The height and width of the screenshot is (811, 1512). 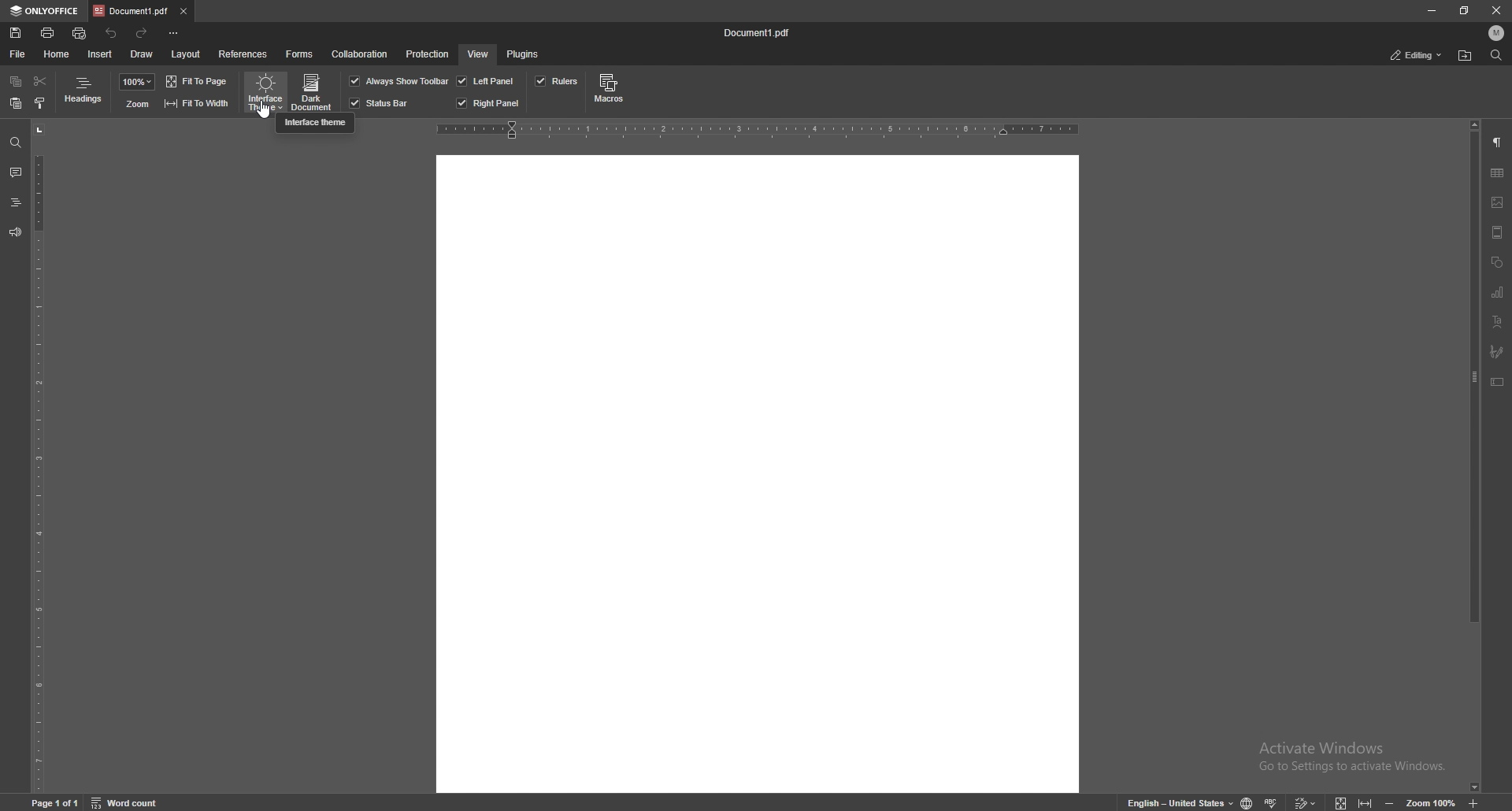 I want to click on locate file, so click(x=1465, y=57).